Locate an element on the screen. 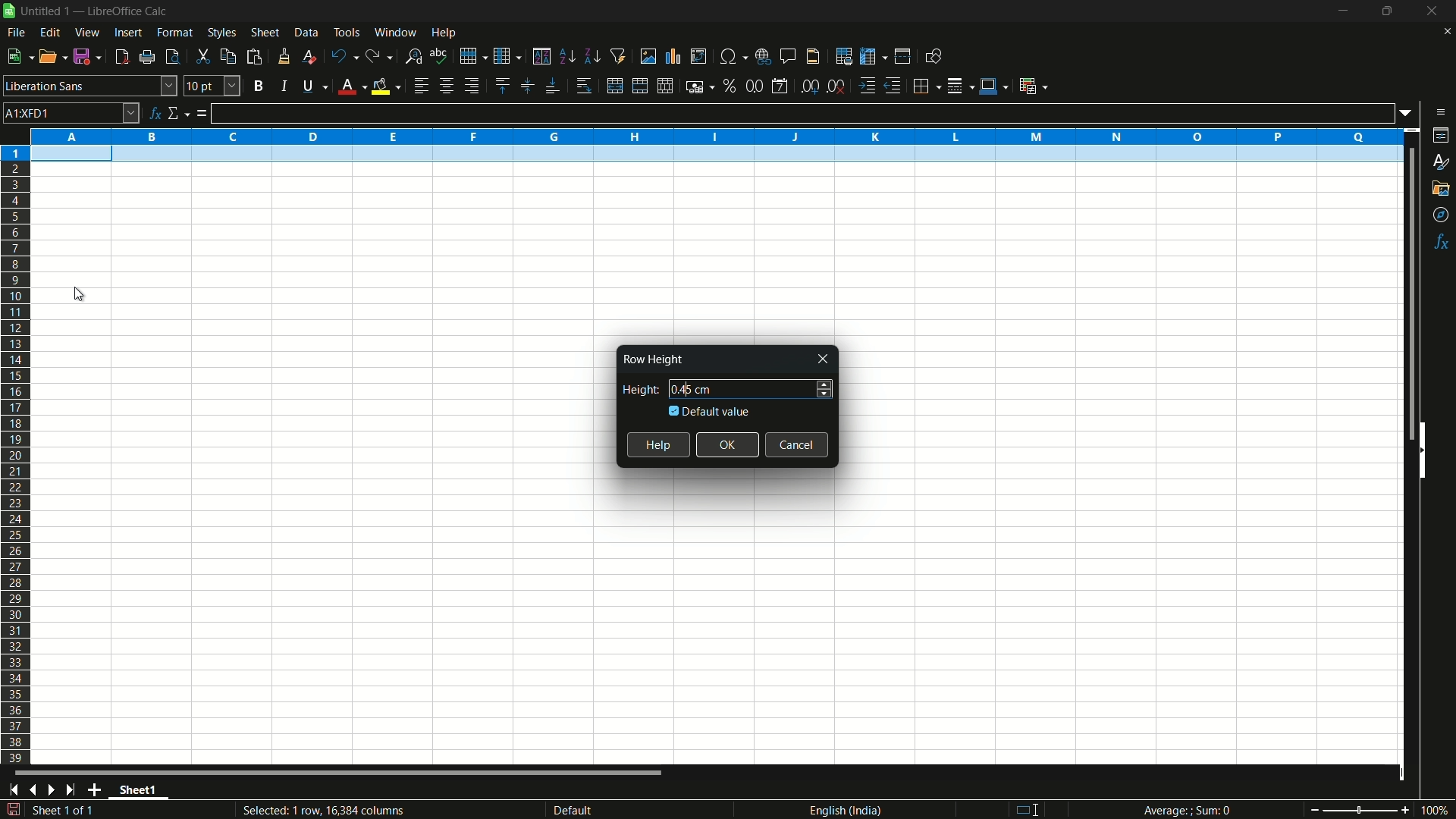 The image size is (1456, 819). copy is located at coordinates (227, 56).